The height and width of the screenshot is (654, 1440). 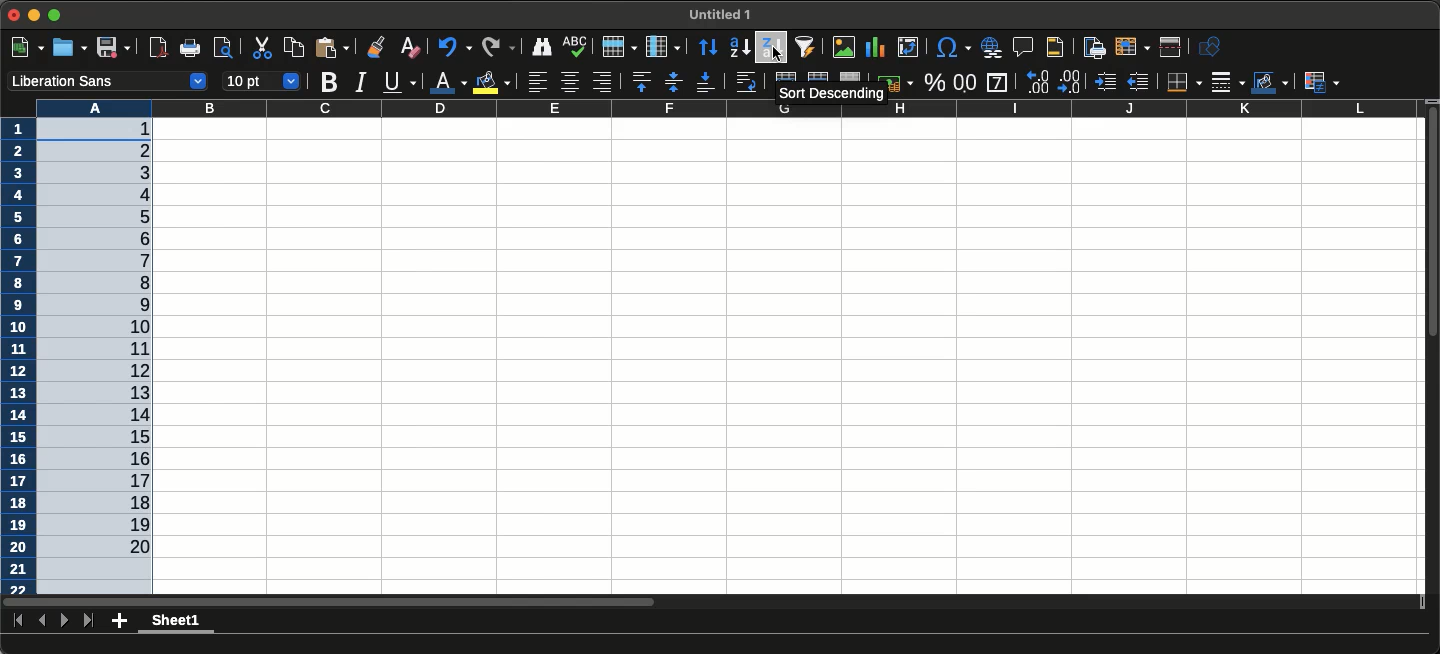 What do you see at coordinates (574, 45) in the screenshot?
I see `Spelling` at bounding box center [574, 45].